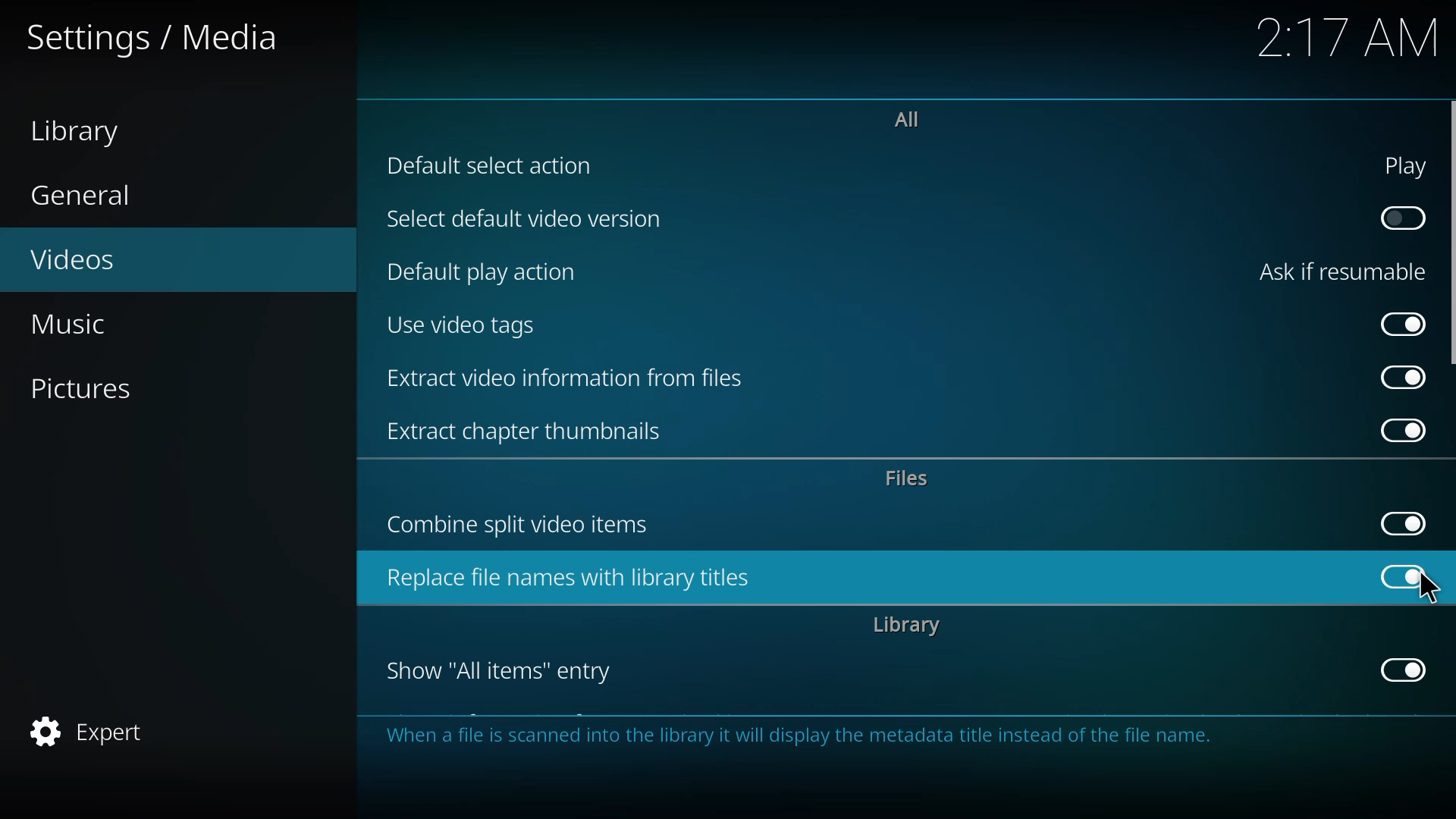  I want to click on files, so click(912, 479).